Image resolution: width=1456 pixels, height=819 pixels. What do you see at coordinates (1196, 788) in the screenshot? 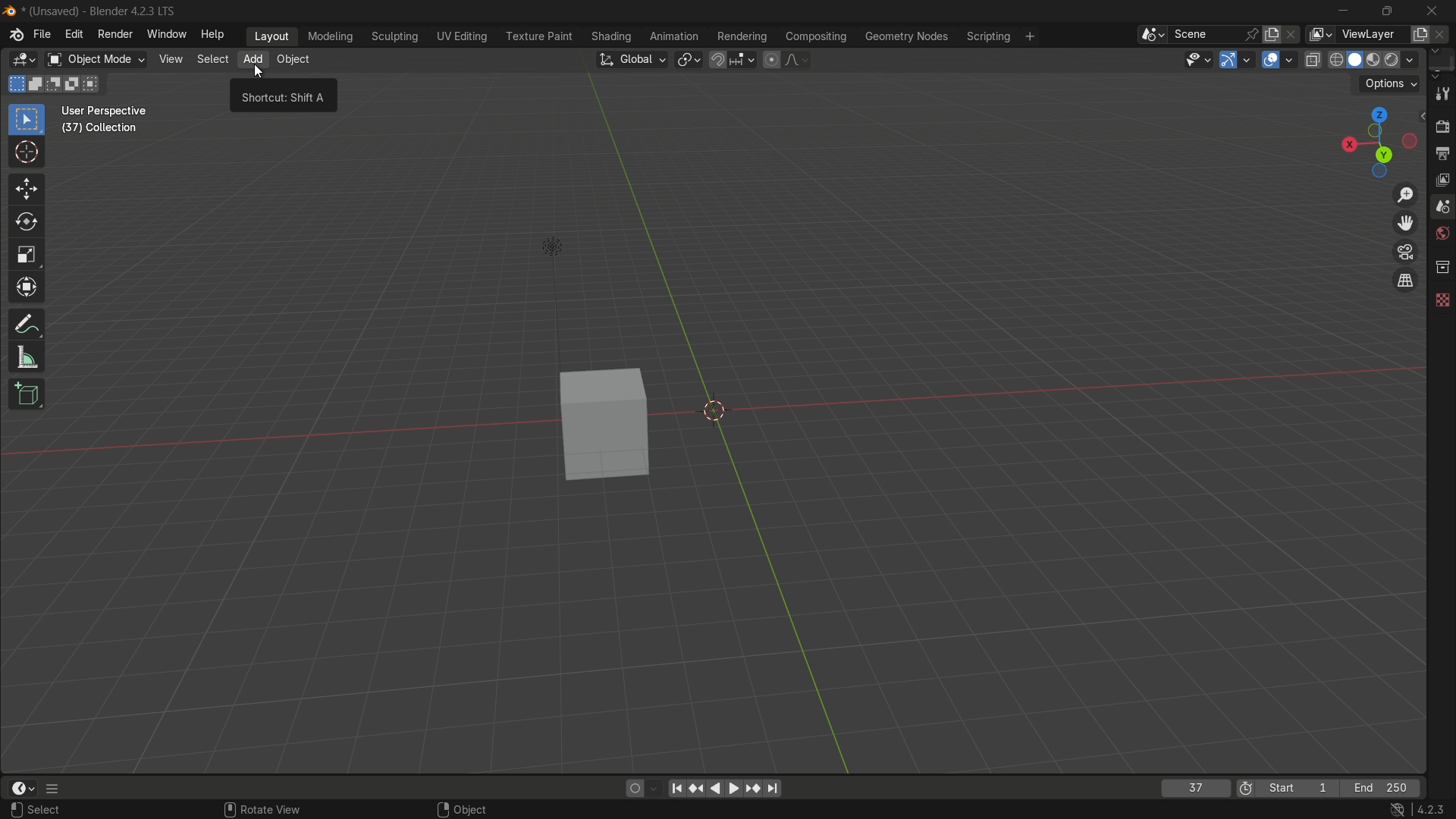
I see `current frame` at bounding box center [1196, 788].